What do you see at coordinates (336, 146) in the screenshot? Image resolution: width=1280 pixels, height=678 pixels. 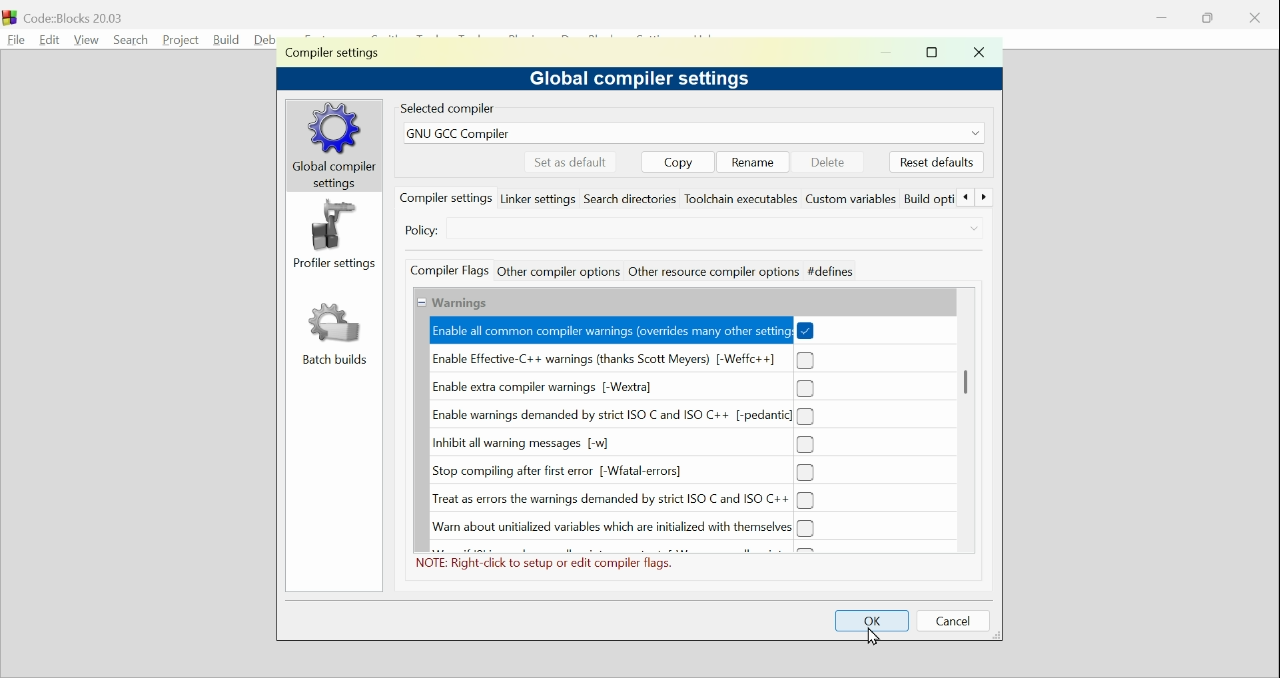 I see `global compilers settings` at bounding box center [336, 146].